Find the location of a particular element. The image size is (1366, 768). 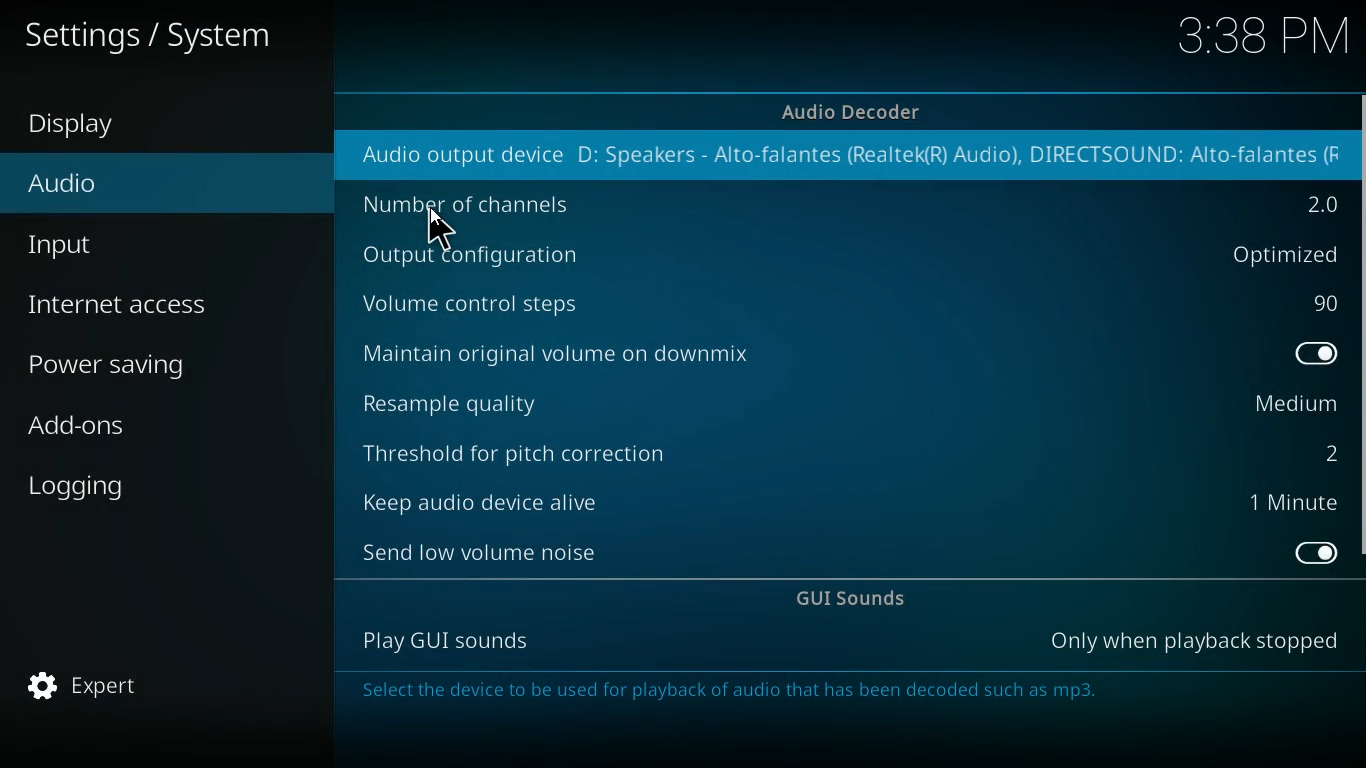

option is located at coordinates (1311, 553).